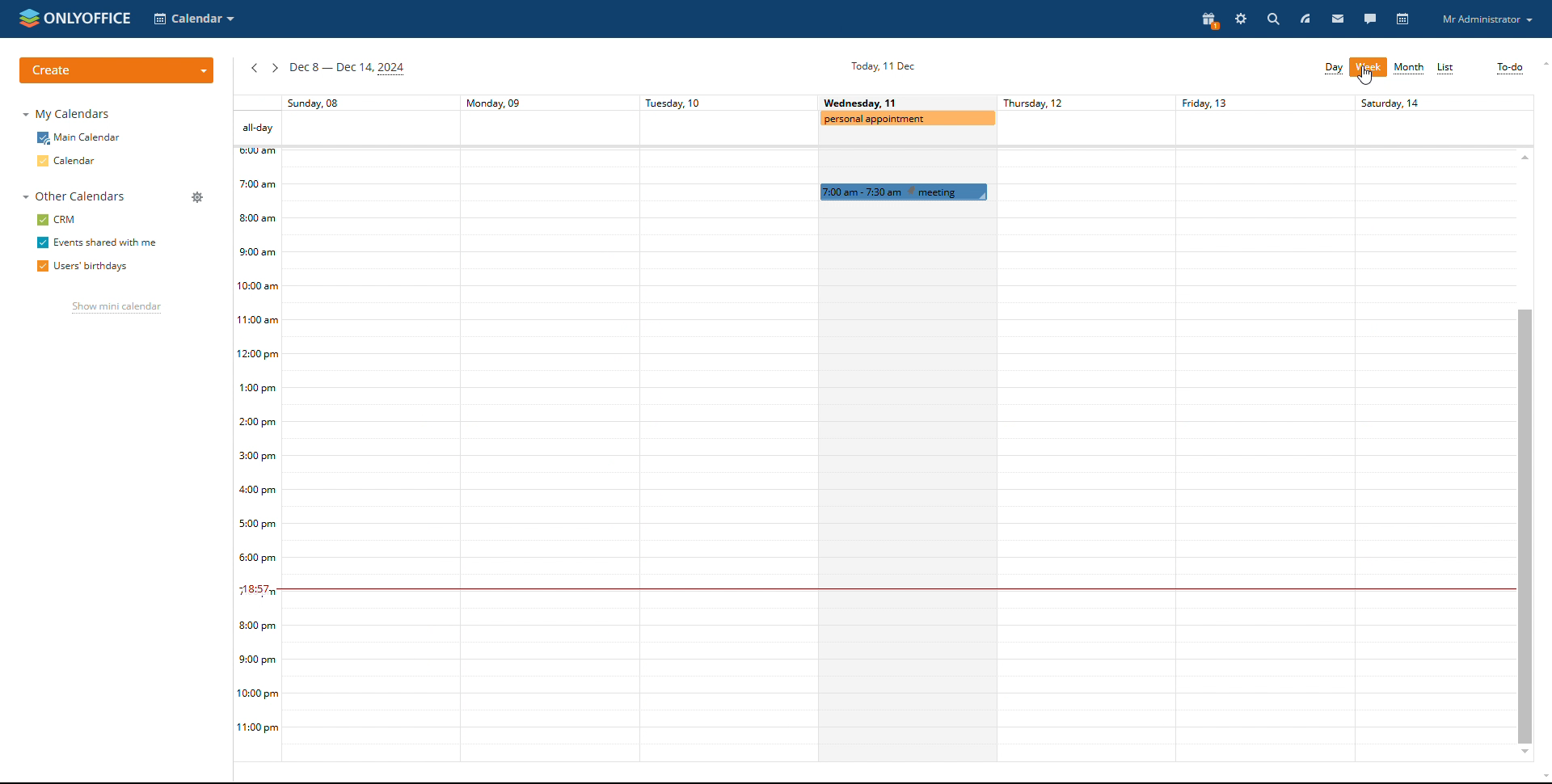 This screenshot has height=784, width=1552. Describe the element at coordinates (116, 307) in the screenshot. I see `show mini calendar` at that location.